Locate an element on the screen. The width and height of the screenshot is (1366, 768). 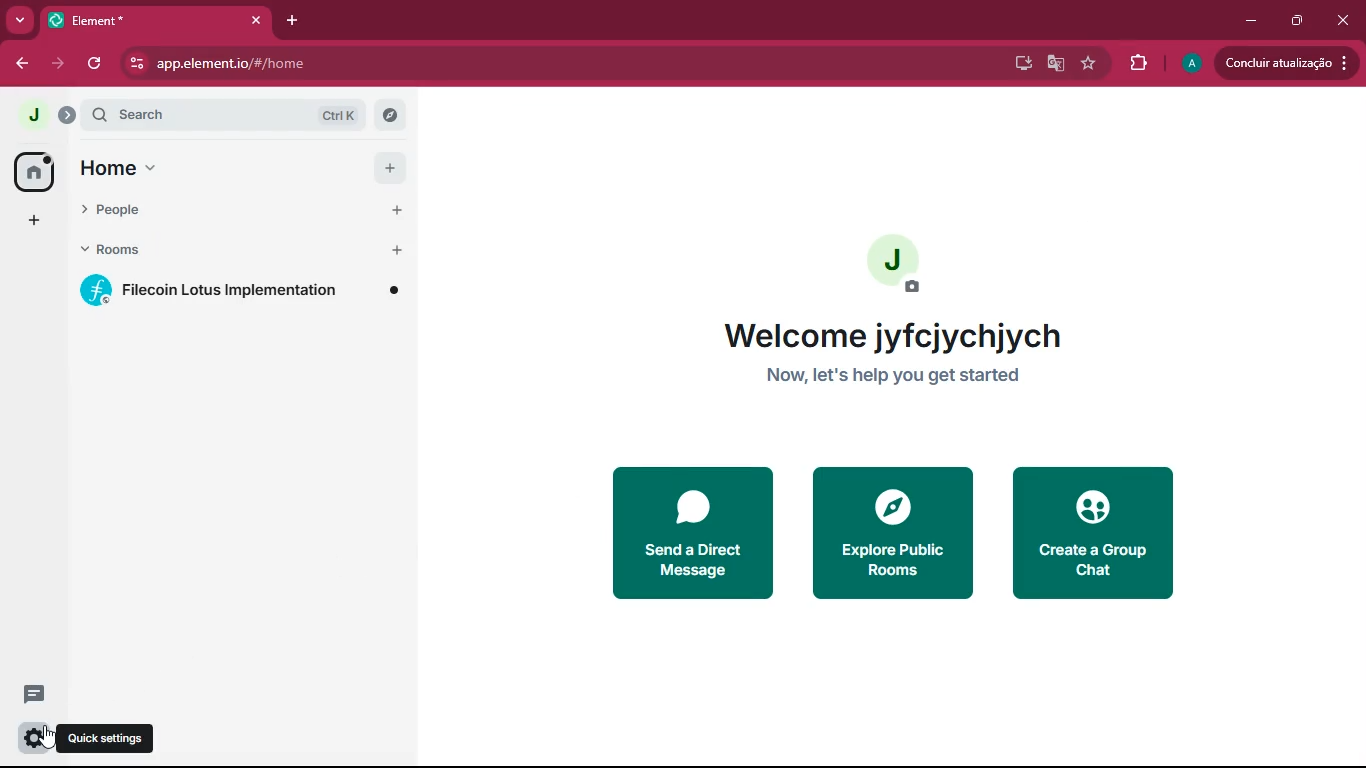
quick settings is located at coordinates (104, 737).